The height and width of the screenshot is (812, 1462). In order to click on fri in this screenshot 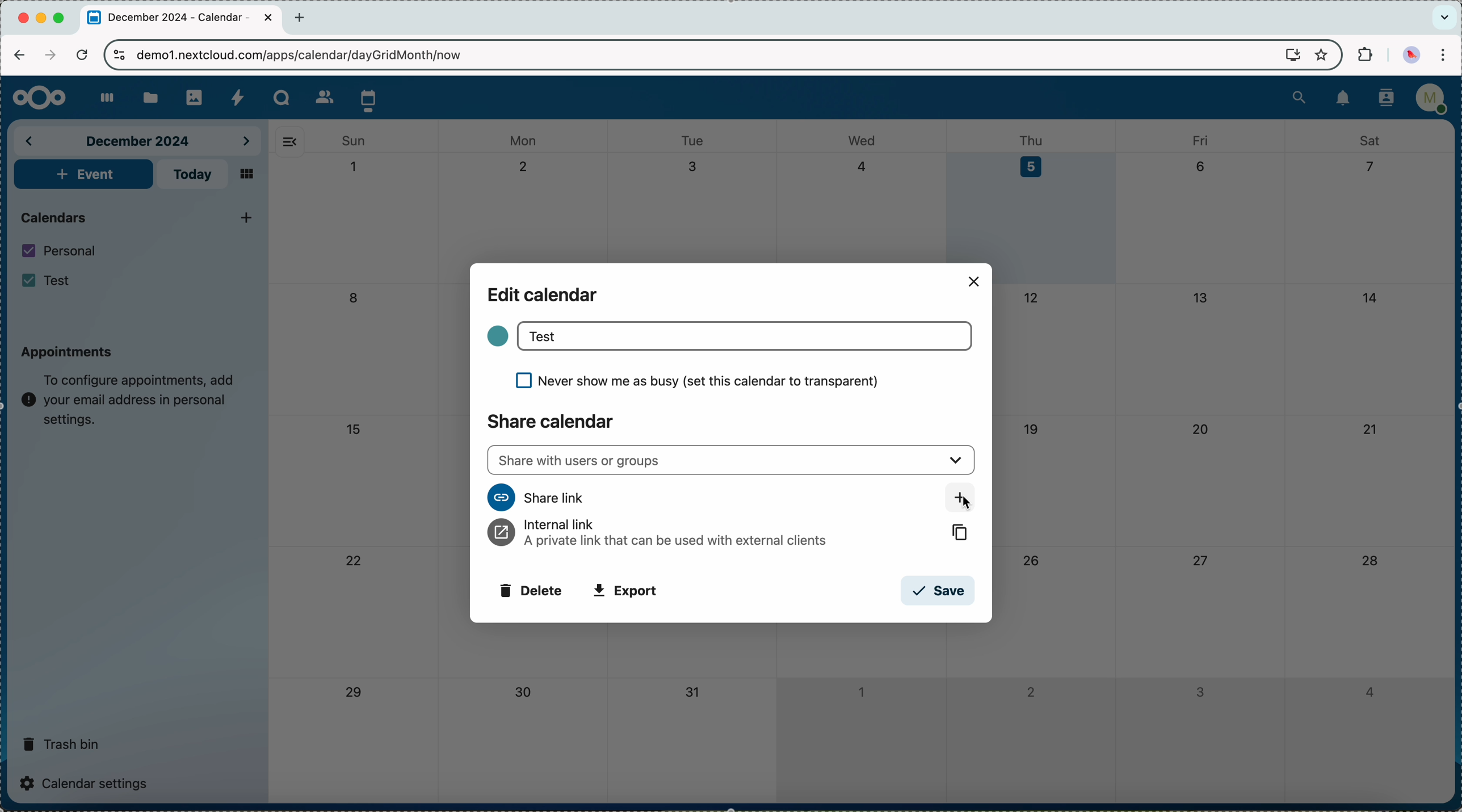, I will do `click(1199, 140)`.